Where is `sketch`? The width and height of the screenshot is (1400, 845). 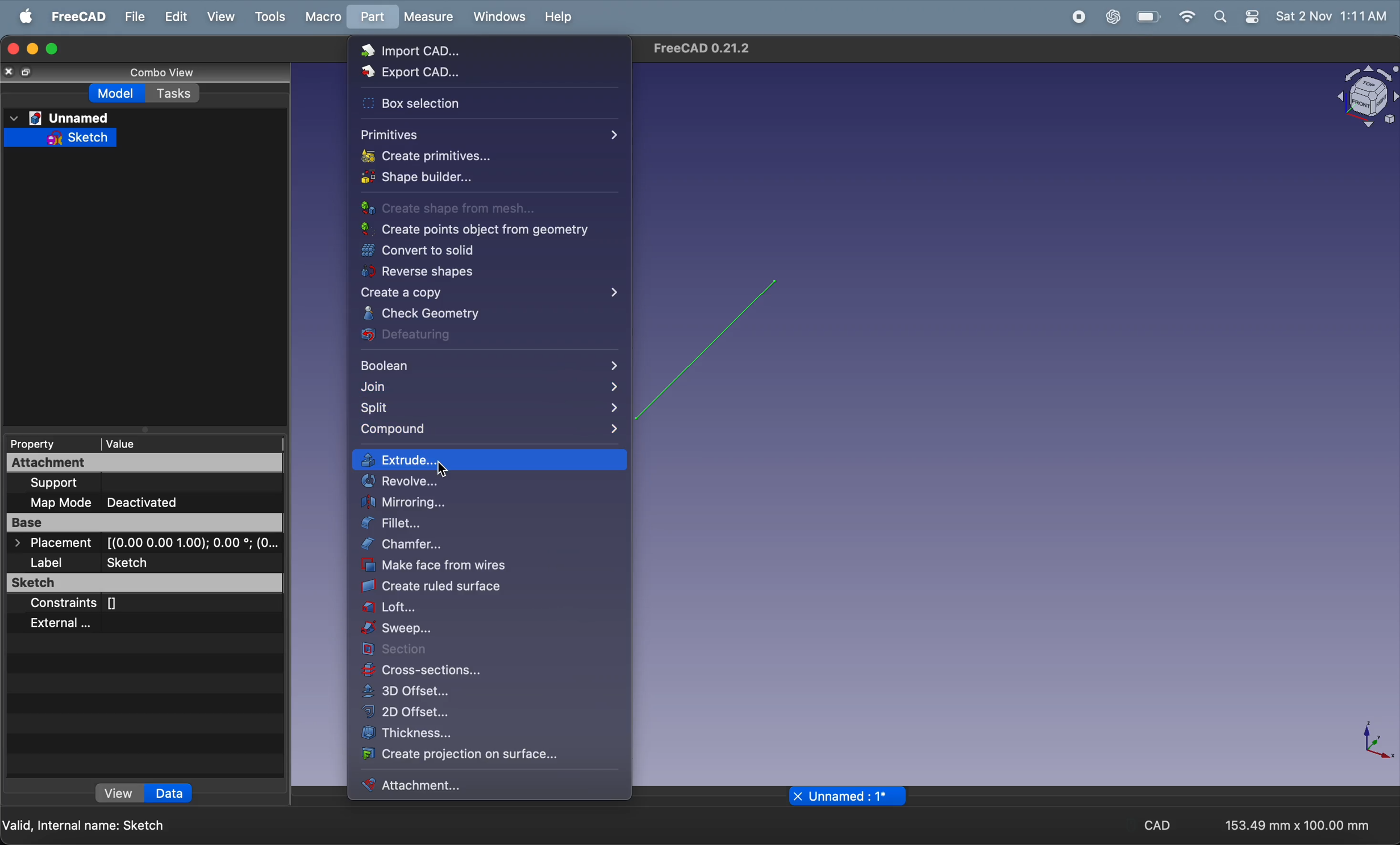
sketch is located at coordinates (131, 563).